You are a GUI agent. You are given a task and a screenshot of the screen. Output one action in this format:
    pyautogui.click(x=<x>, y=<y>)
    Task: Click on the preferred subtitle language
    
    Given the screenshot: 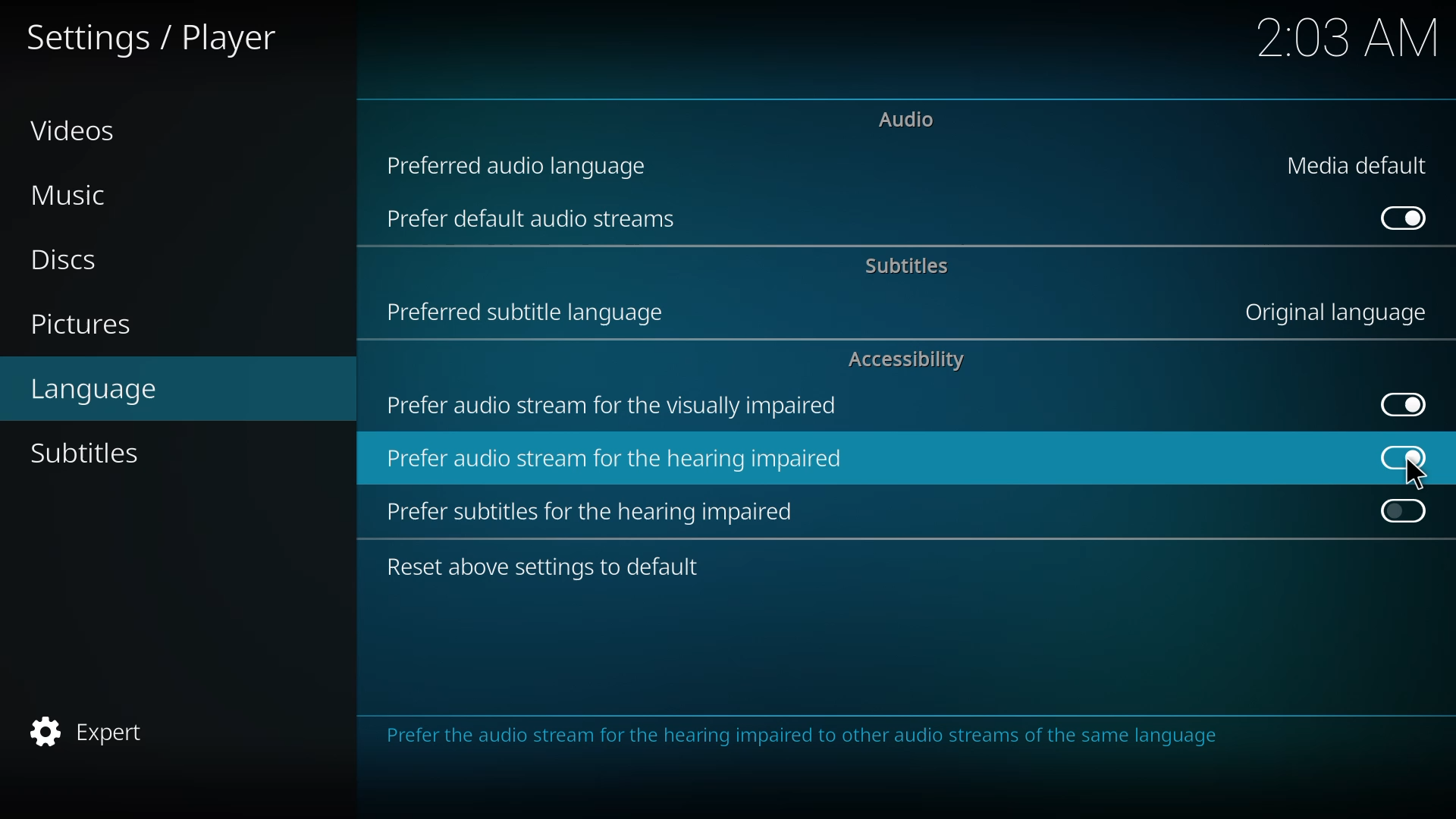 What is the action you would take?
    pyautogui.click(x=532, y=311)
    